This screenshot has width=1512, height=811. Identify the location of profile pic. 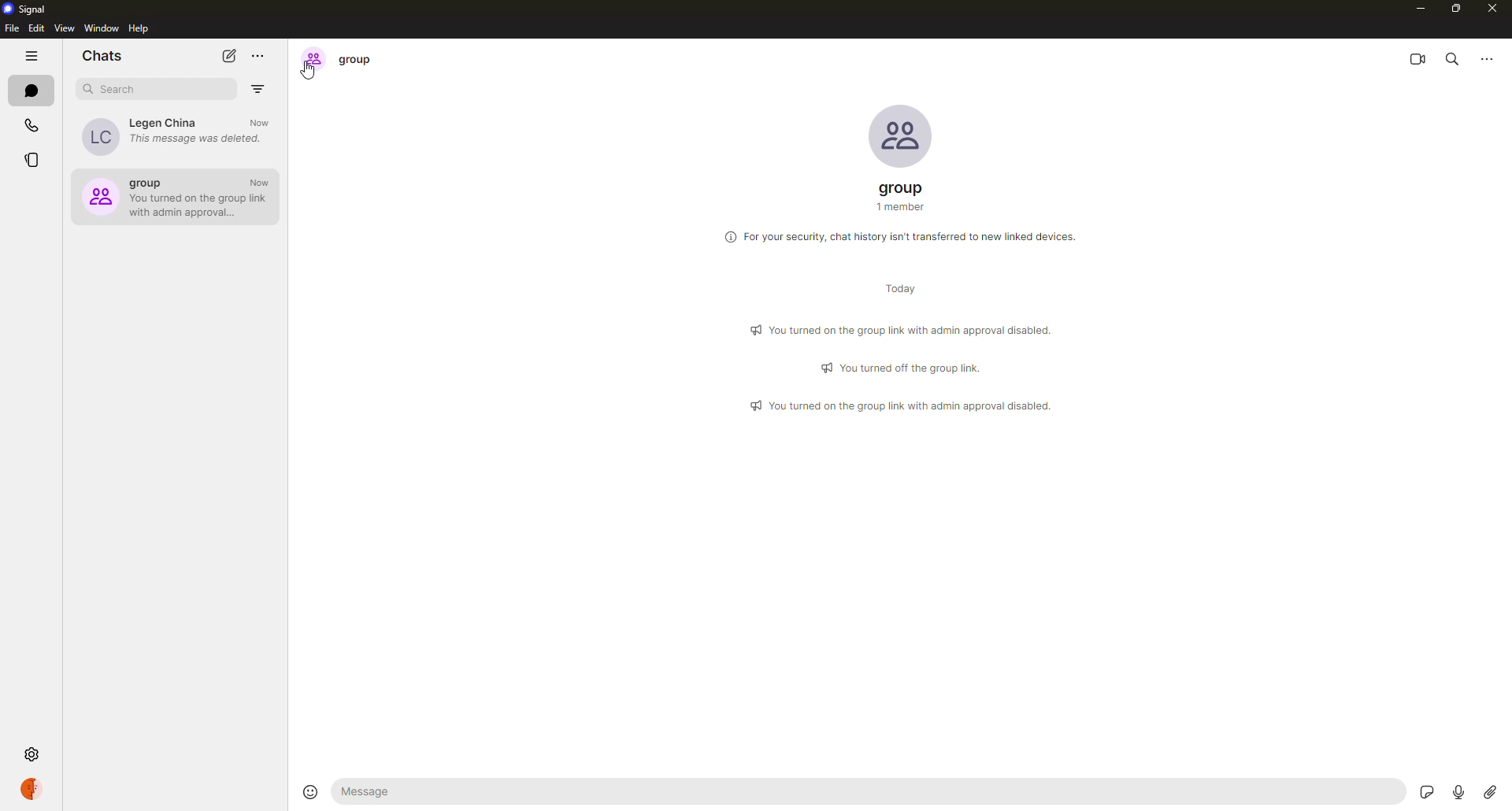
(891, 135).